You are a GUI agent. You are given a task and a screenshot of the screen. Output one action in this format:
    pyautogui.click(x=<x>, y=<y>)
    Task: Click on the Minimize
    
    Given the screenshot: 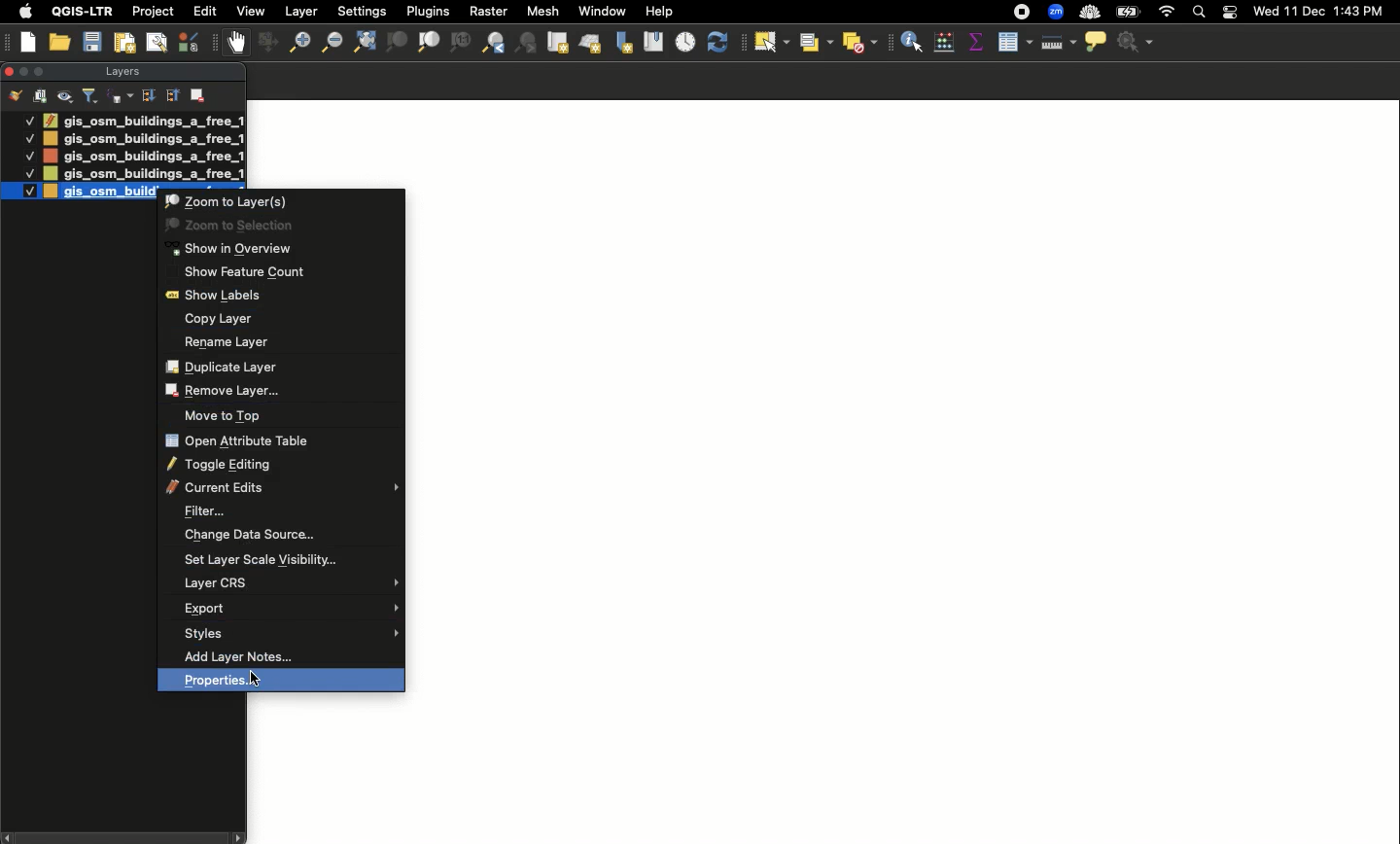 What is the action you would take?
    pyautogui.click(x=22, y=70)
    